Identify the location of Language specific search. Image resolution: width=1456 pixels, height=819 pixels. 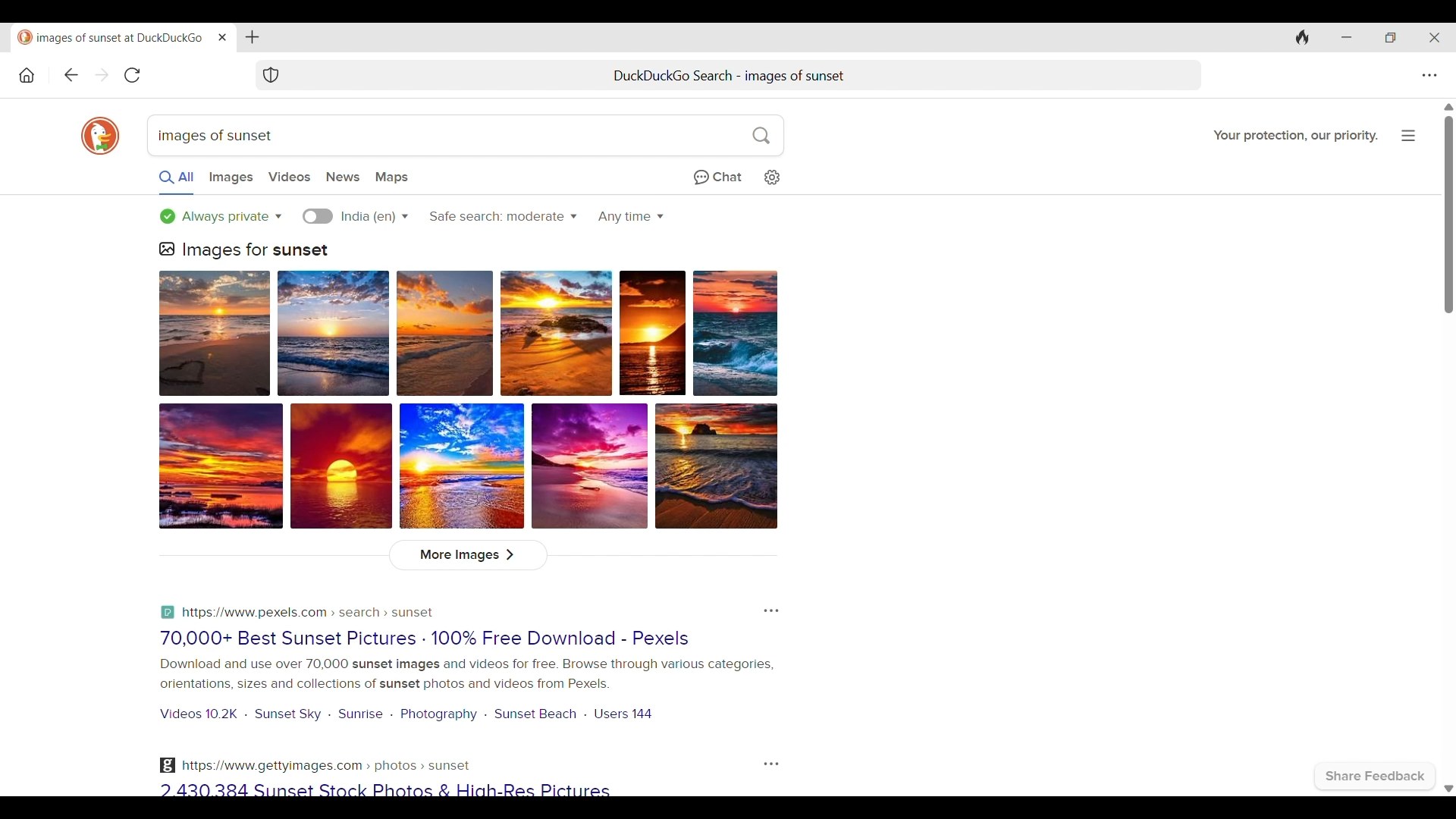
(318, 216).